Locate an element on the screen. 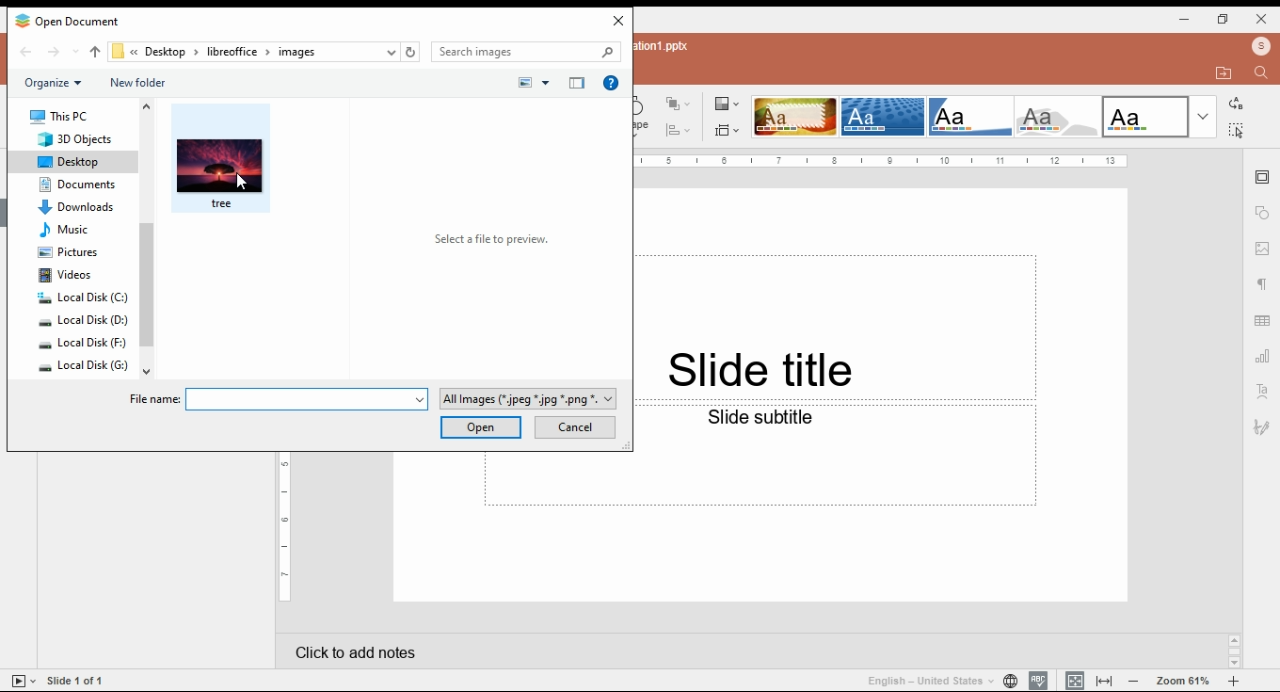 The height and width of the screenshot is (692, 1280). videos is located at coordinates (74, 274).